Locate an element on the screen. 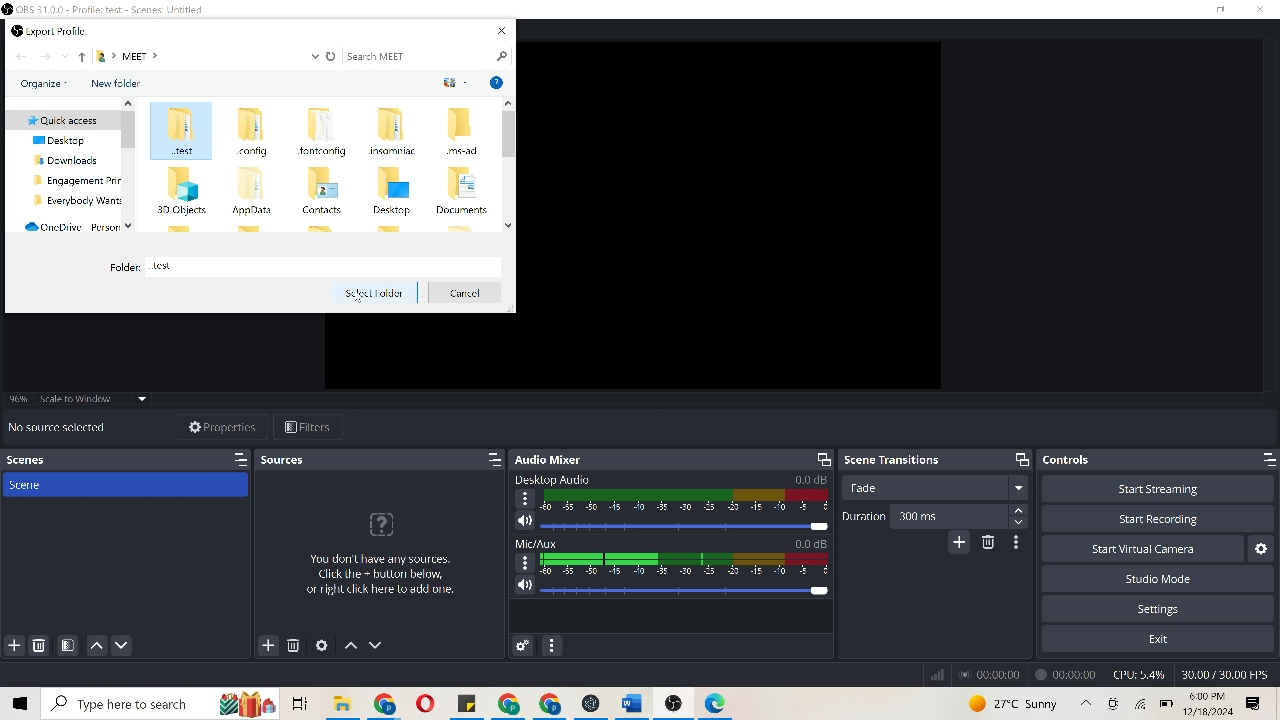 The height and width of the screenshot is (720, 1280). Conacts is located at coordinates (325, 191).